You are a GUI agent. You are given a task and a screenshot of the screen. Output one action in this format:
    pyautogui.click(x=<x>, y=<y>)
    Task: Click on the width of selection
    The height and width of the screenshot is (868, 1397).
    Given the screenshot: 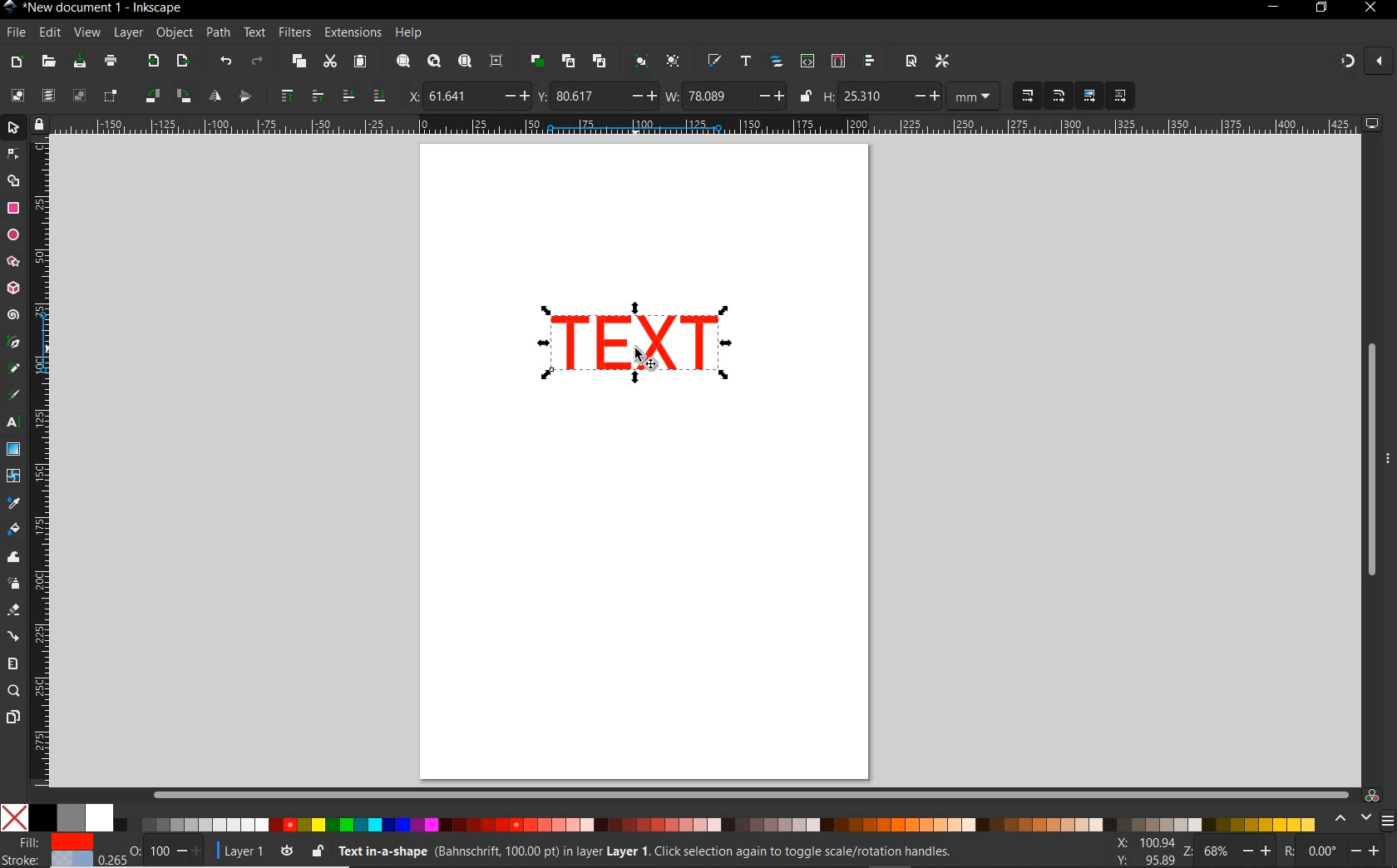 What is the action you would take?
    pyautogui.click(x=725, y=96)
    